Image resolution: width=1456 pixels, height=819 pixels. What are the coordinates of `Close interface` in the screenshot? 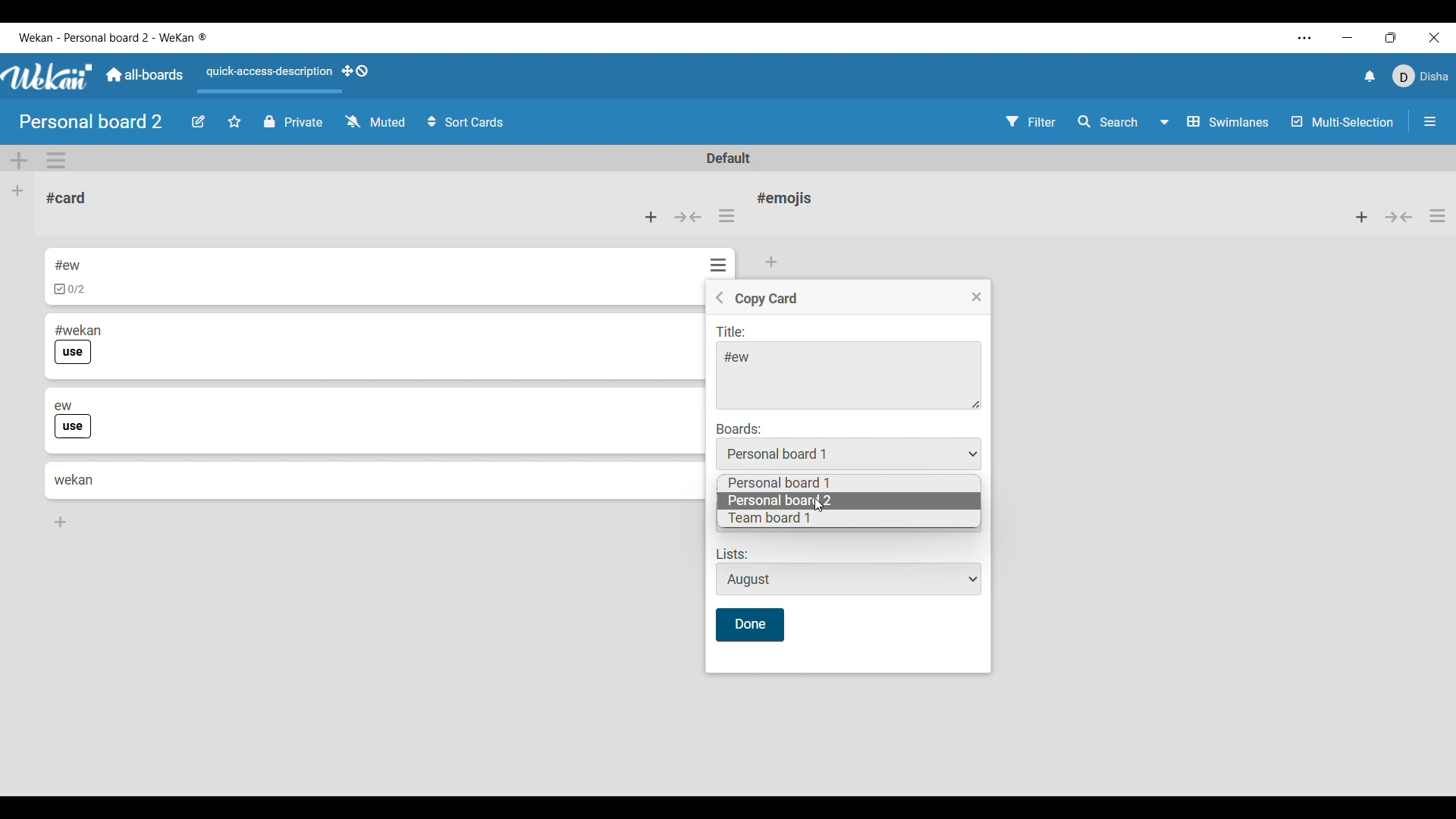 It's located at (1435, 37).